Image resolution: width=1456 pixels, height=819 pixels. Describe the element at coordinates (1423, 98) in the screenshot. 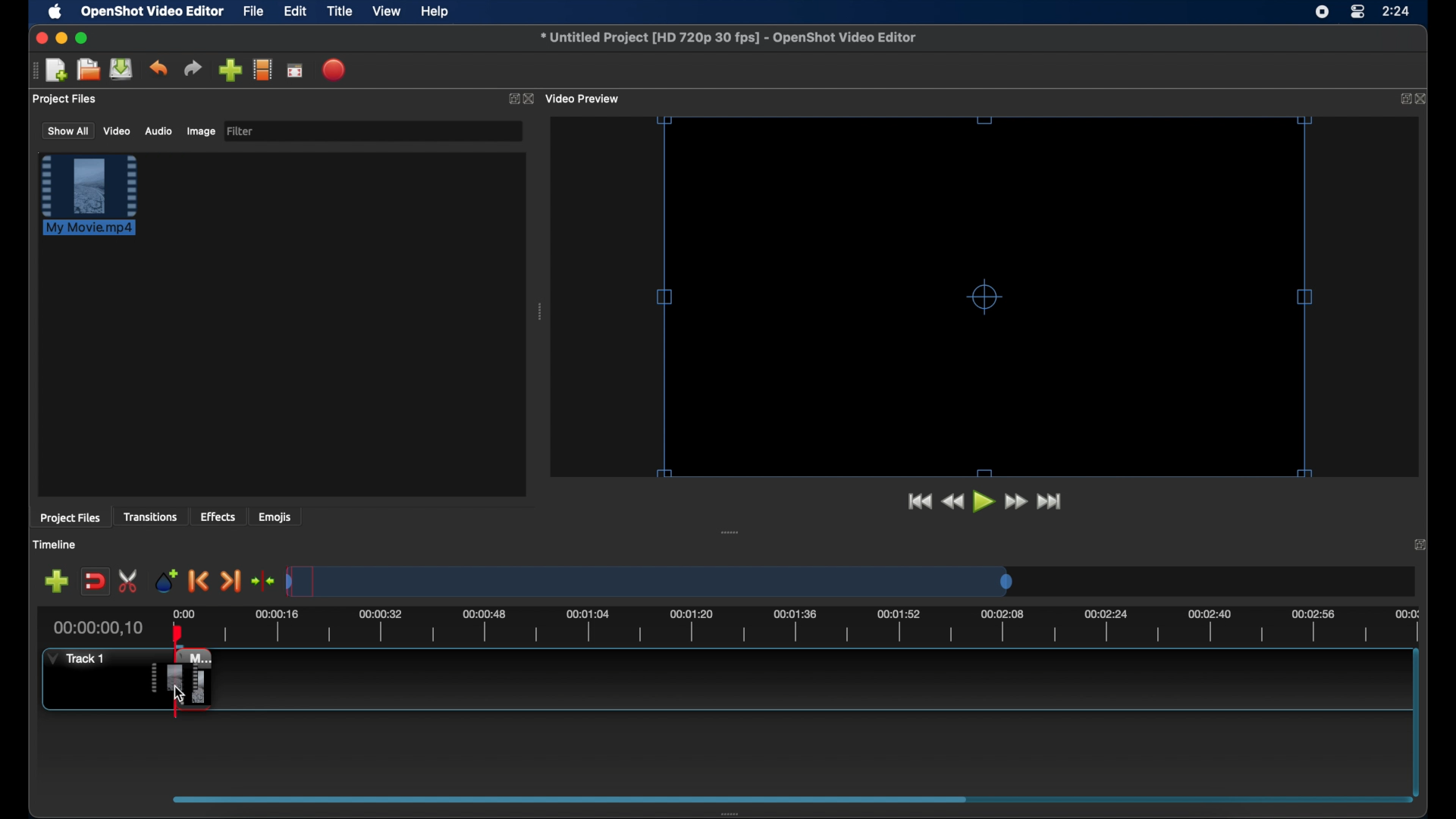

I see `close` at that location.